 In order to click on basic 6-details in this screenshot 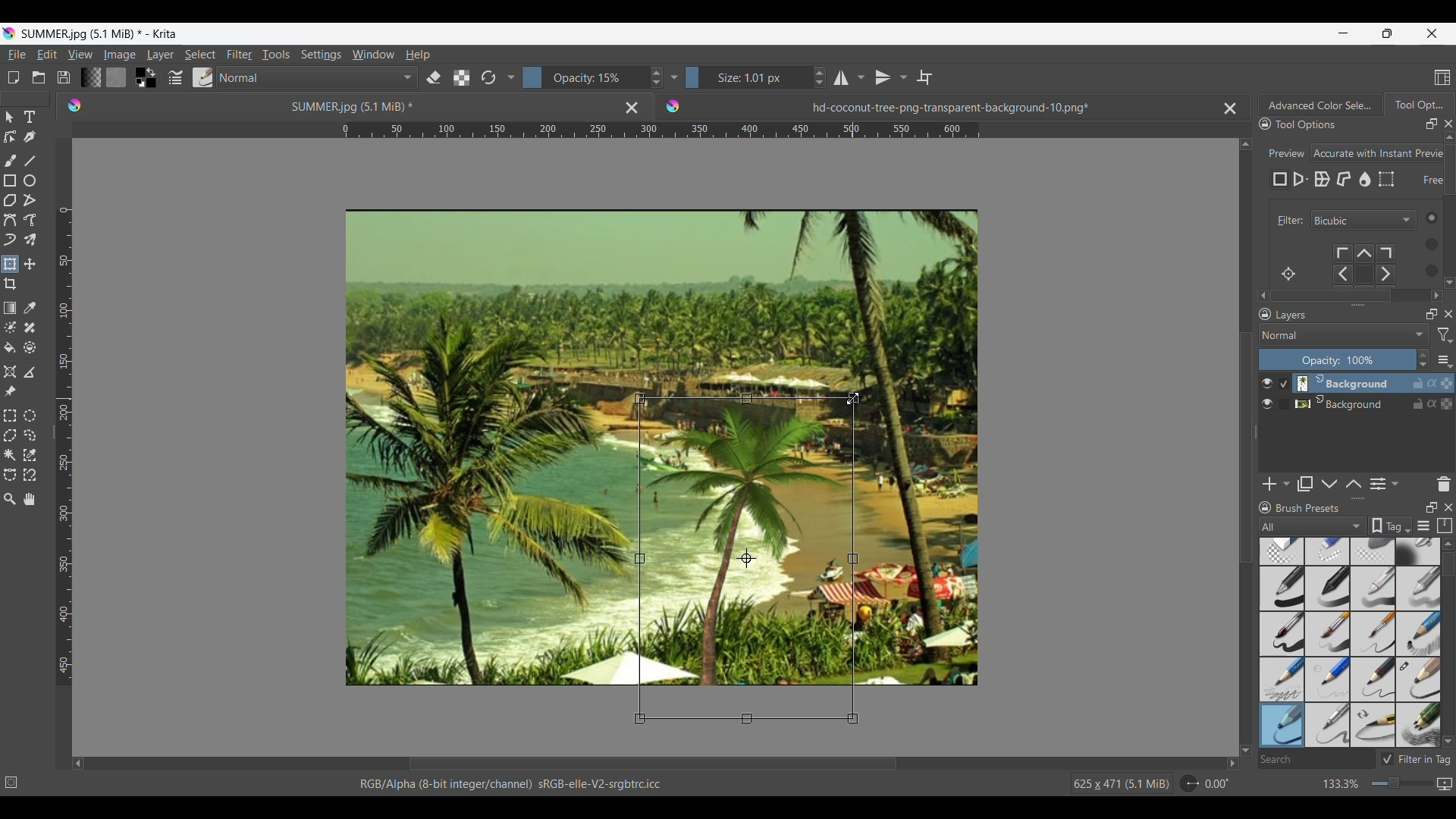, I will do `click(1375, 634)`.